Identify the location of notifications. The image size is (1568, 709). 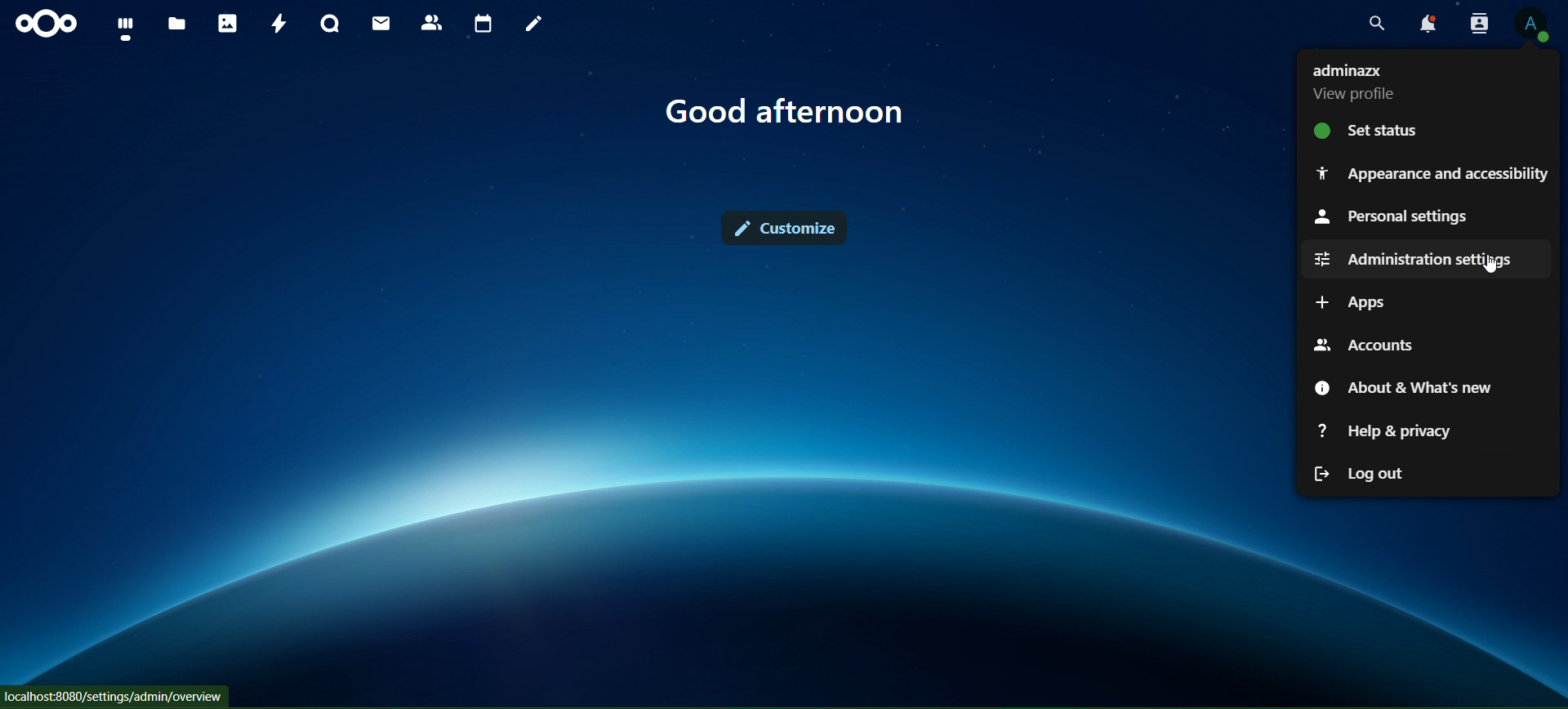
(1424, 24).